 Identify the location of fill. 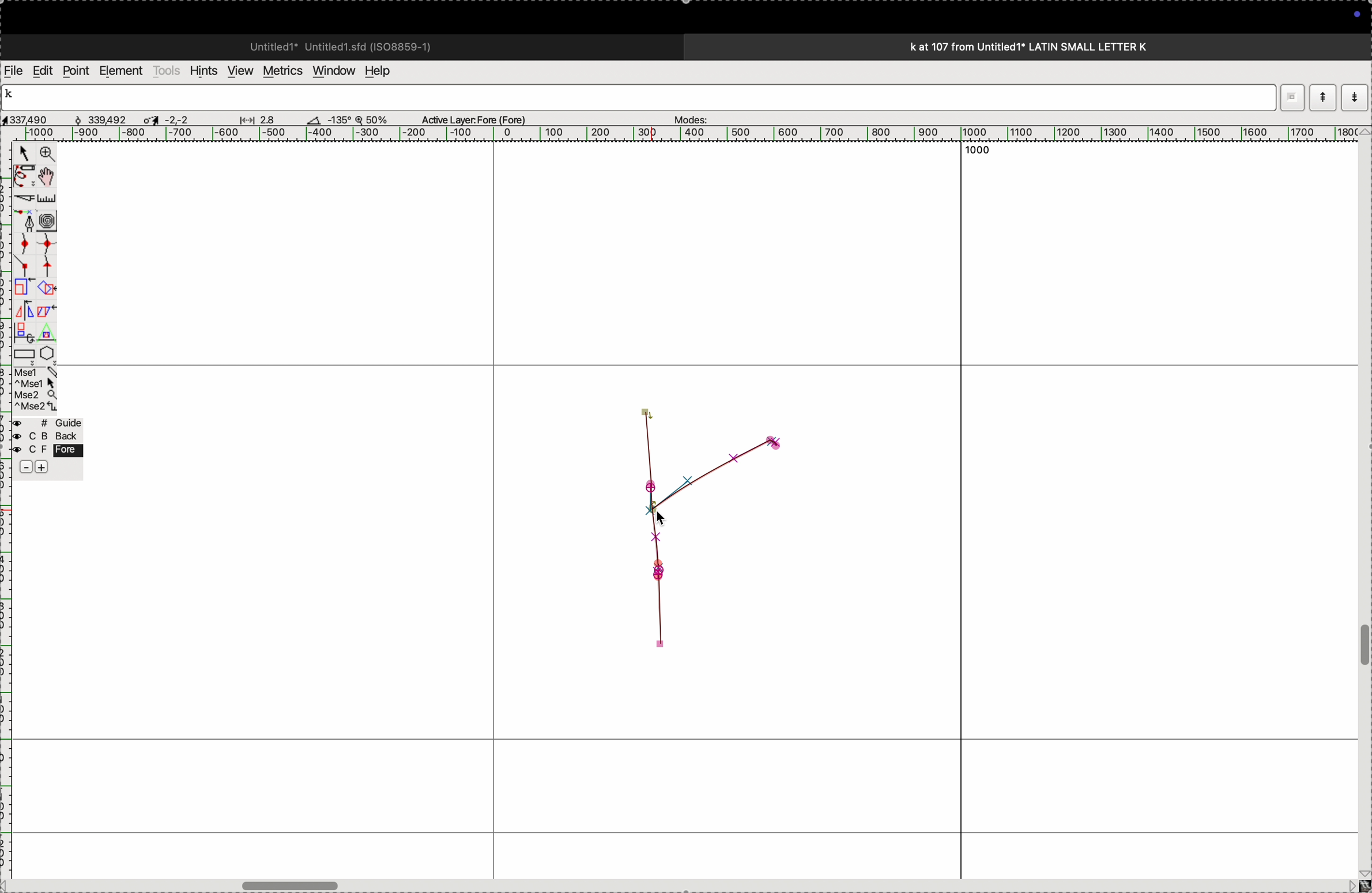
(48, 287).